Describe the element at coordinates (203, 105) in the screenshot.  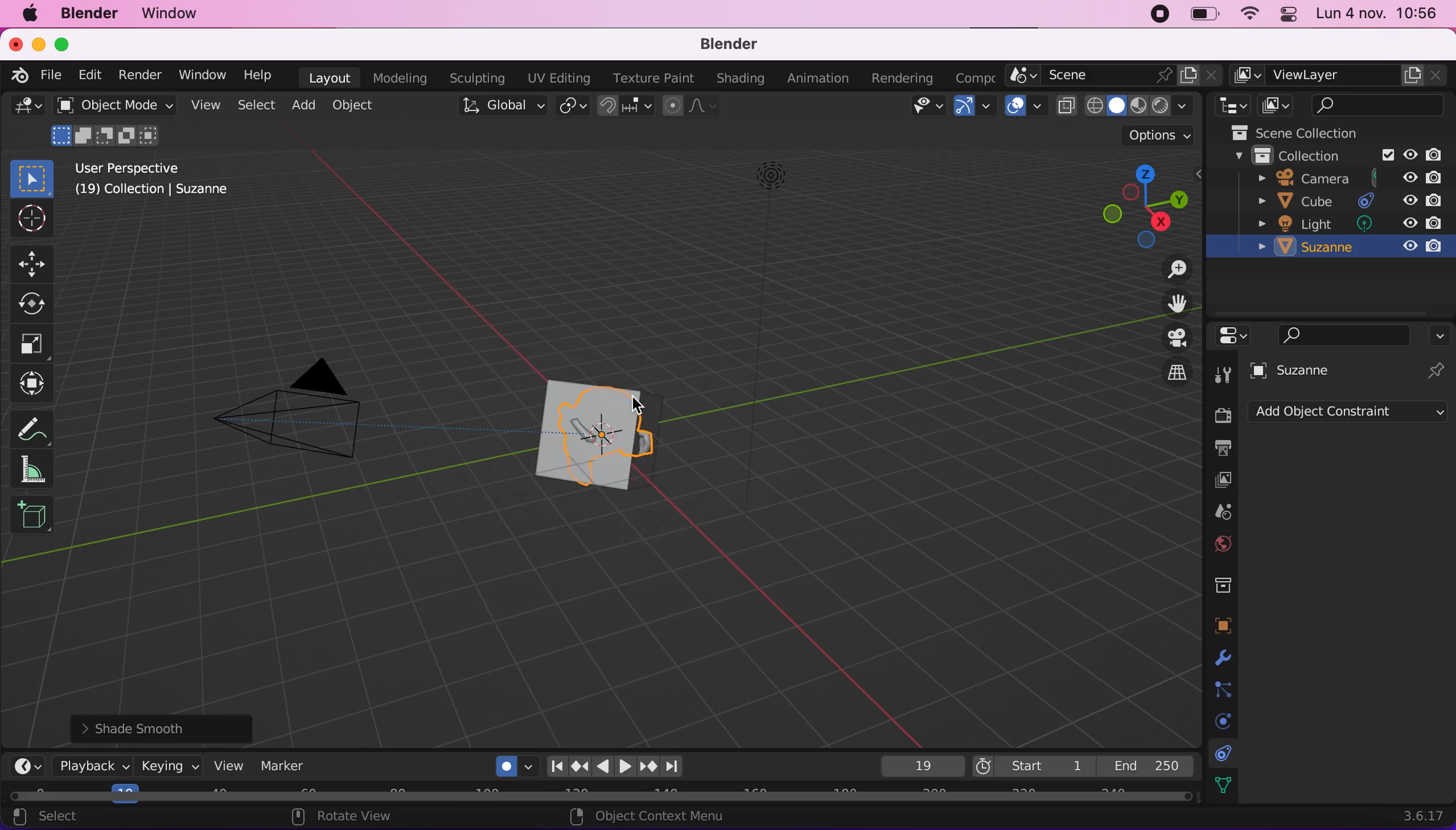
I see `view` at that location.